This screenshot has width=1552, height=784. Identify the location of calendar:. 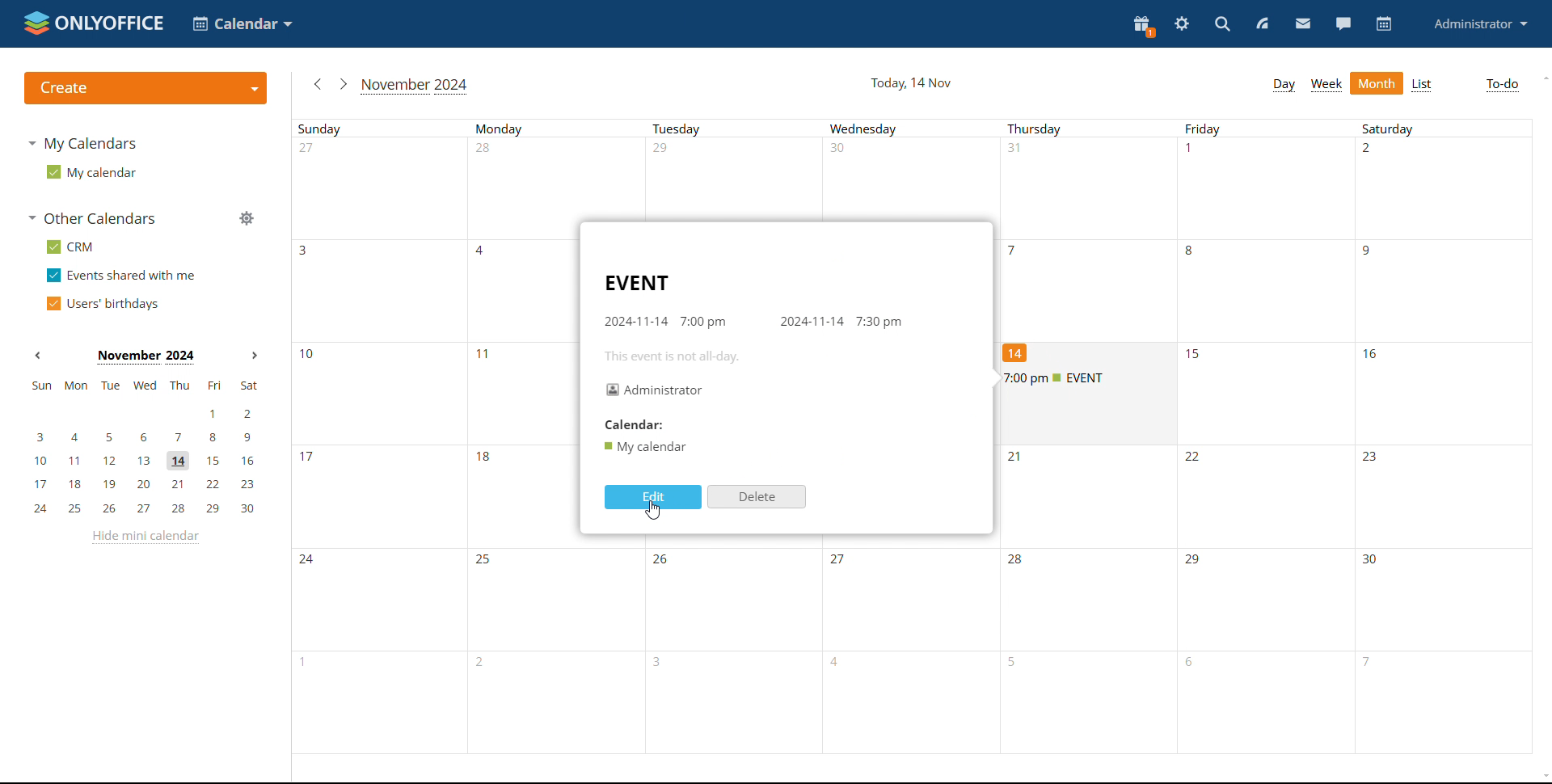
(629, 424).